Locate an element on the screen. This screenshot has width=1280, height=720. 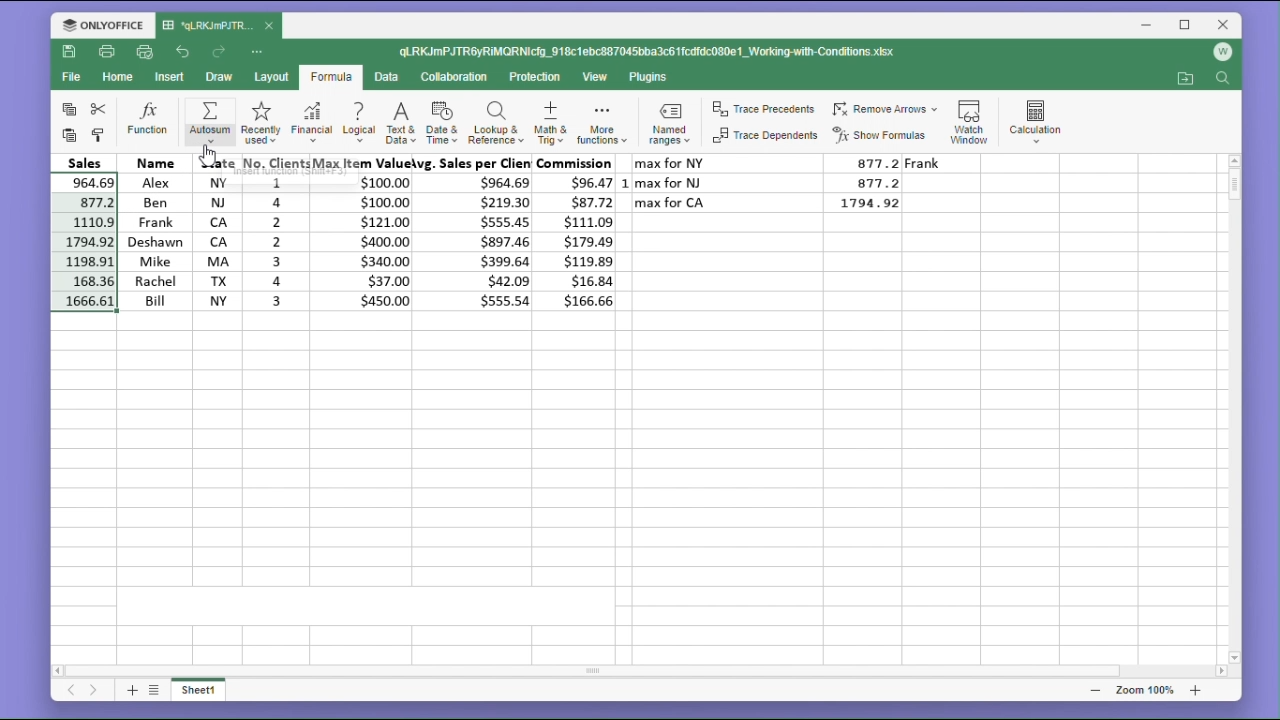
plugins is located at coordinates (649, 77).